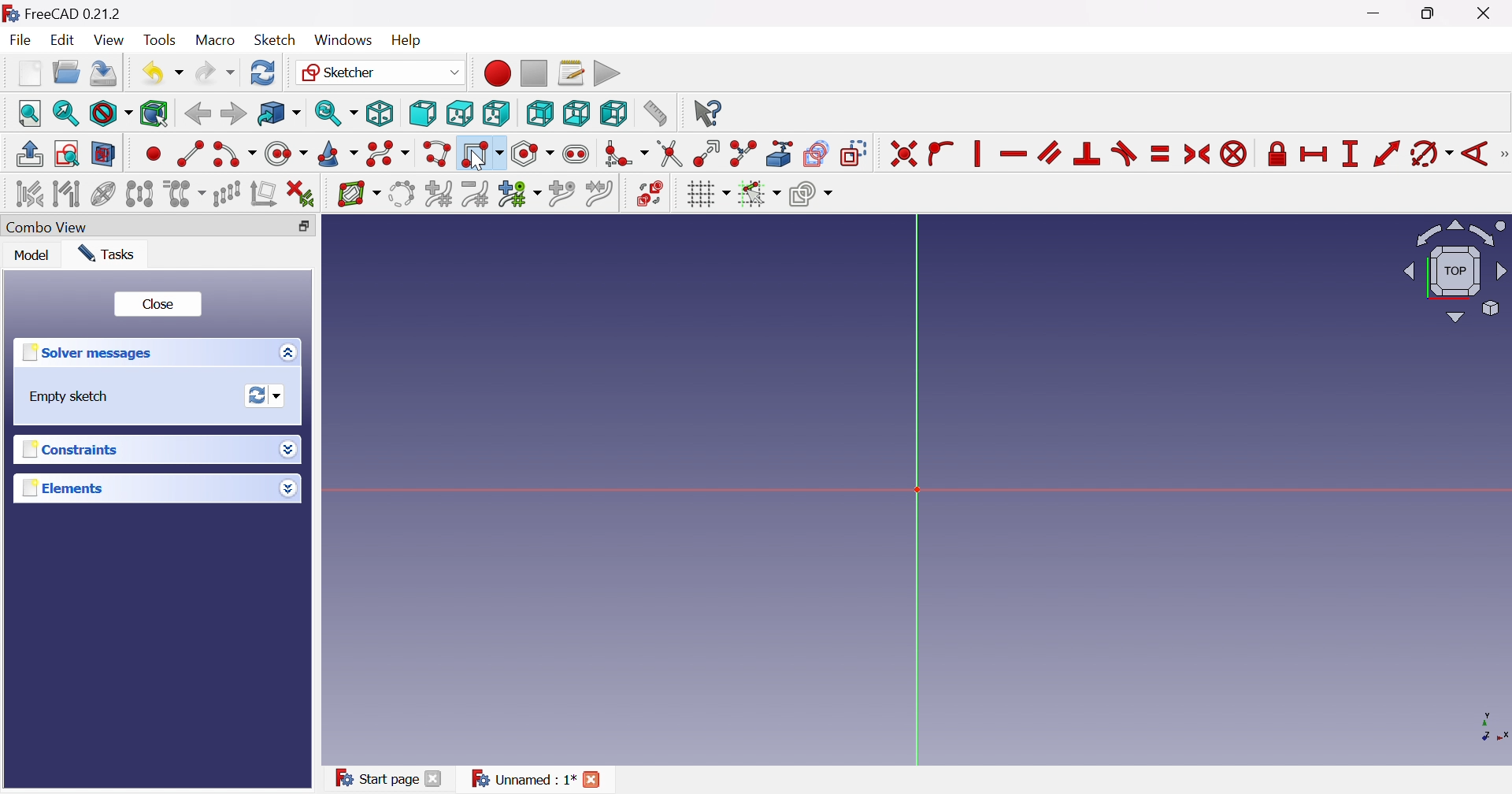  Describe the element at coordinates (33, 255) in the screenshot. I see `Model` at that location.